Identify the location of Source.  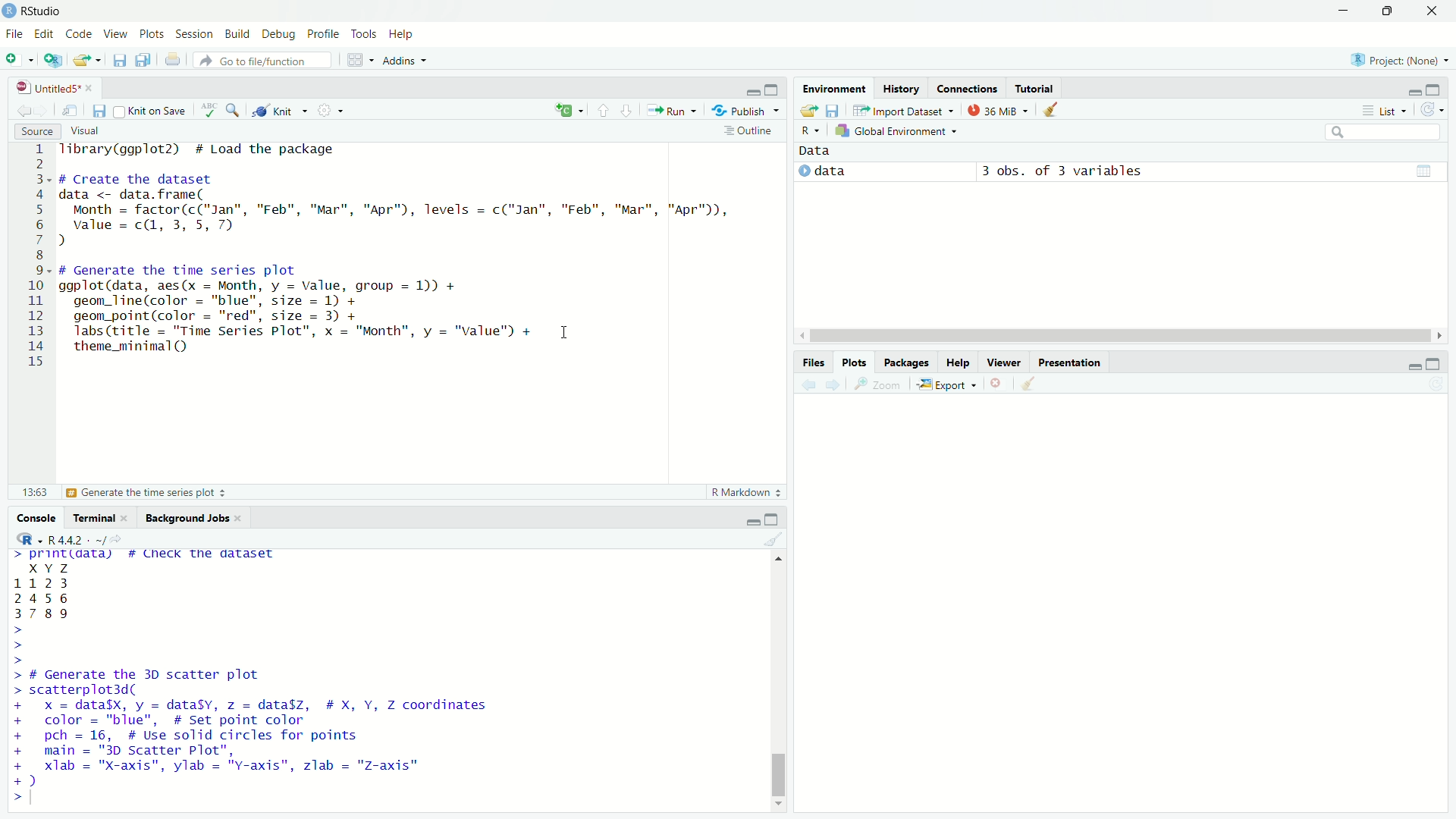
(36, 130).